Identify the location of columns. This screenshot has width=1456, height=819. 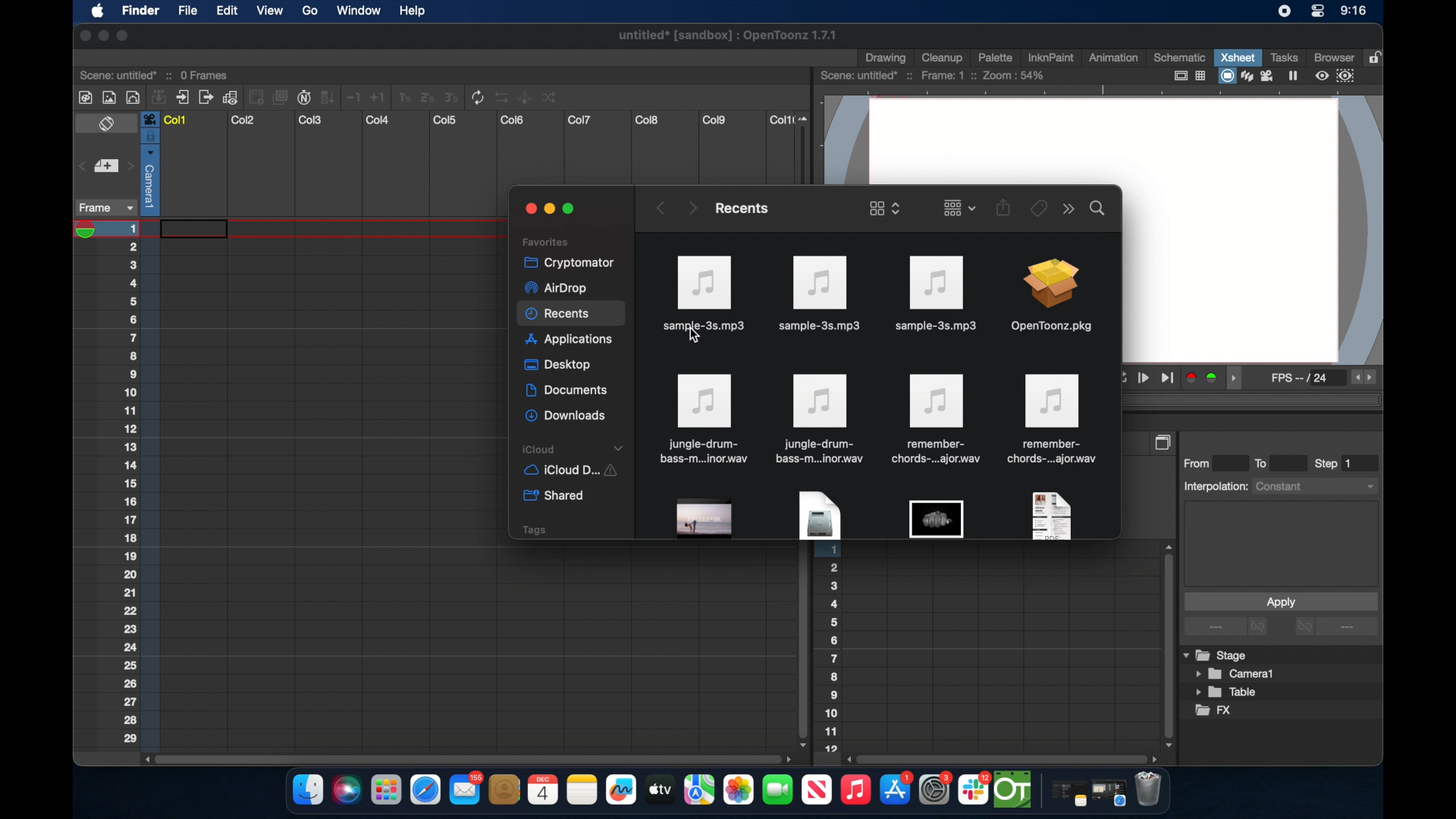
(477, 120).